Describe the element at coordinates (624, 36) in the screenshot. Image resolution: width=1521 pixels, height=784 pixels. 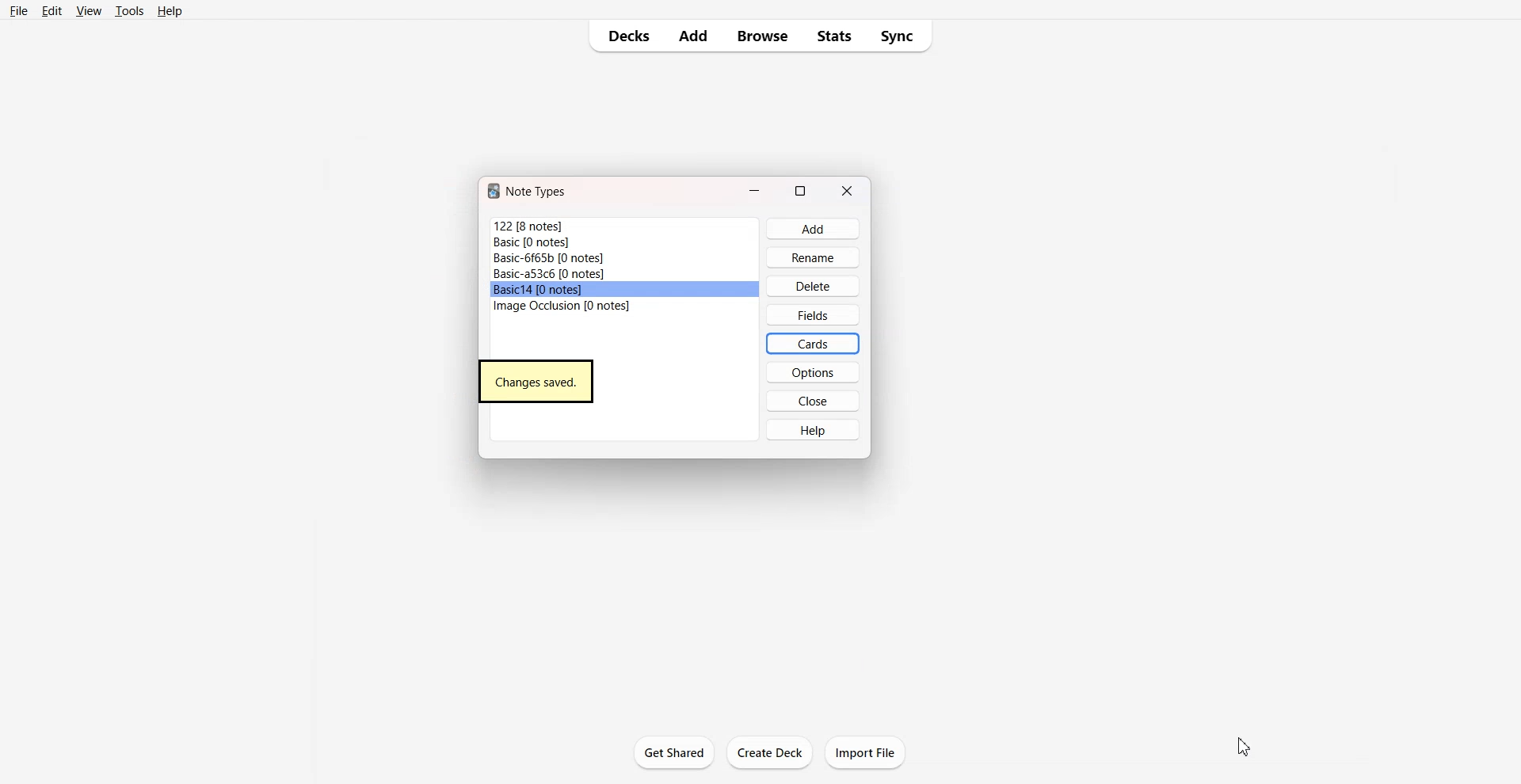
I see `Decks` at that location.